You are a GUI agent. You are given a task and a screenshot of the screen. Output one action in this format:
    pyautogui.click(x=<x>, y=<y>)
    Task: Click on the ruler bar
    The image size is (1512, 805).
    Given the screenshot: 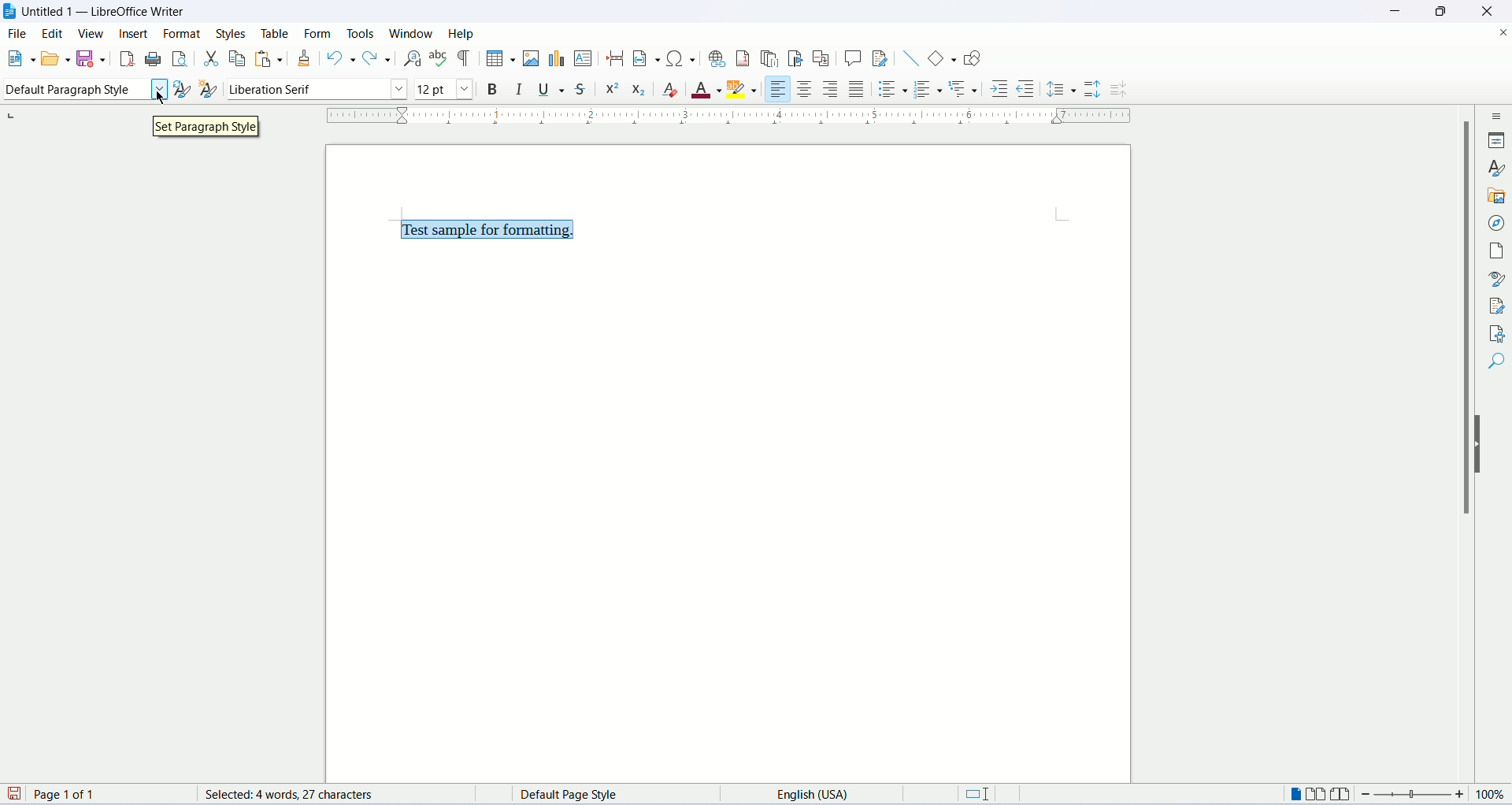 What is the action you would take?
    pyautogui.click(x=732, y=119)
    